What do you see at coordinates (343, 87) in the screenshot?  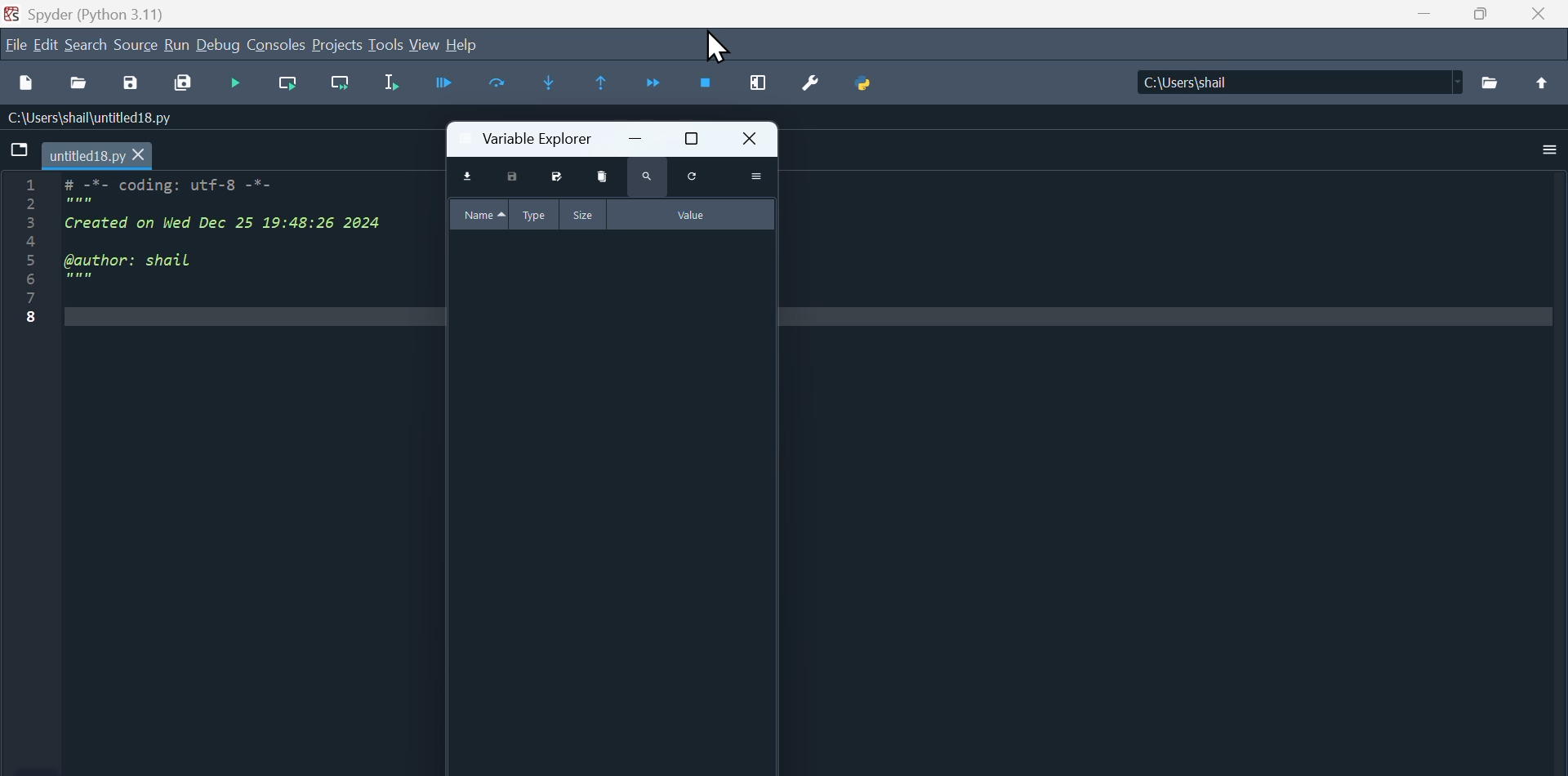 I see `Run Current Cell and go to the next one` at bounding box center [343, 87].